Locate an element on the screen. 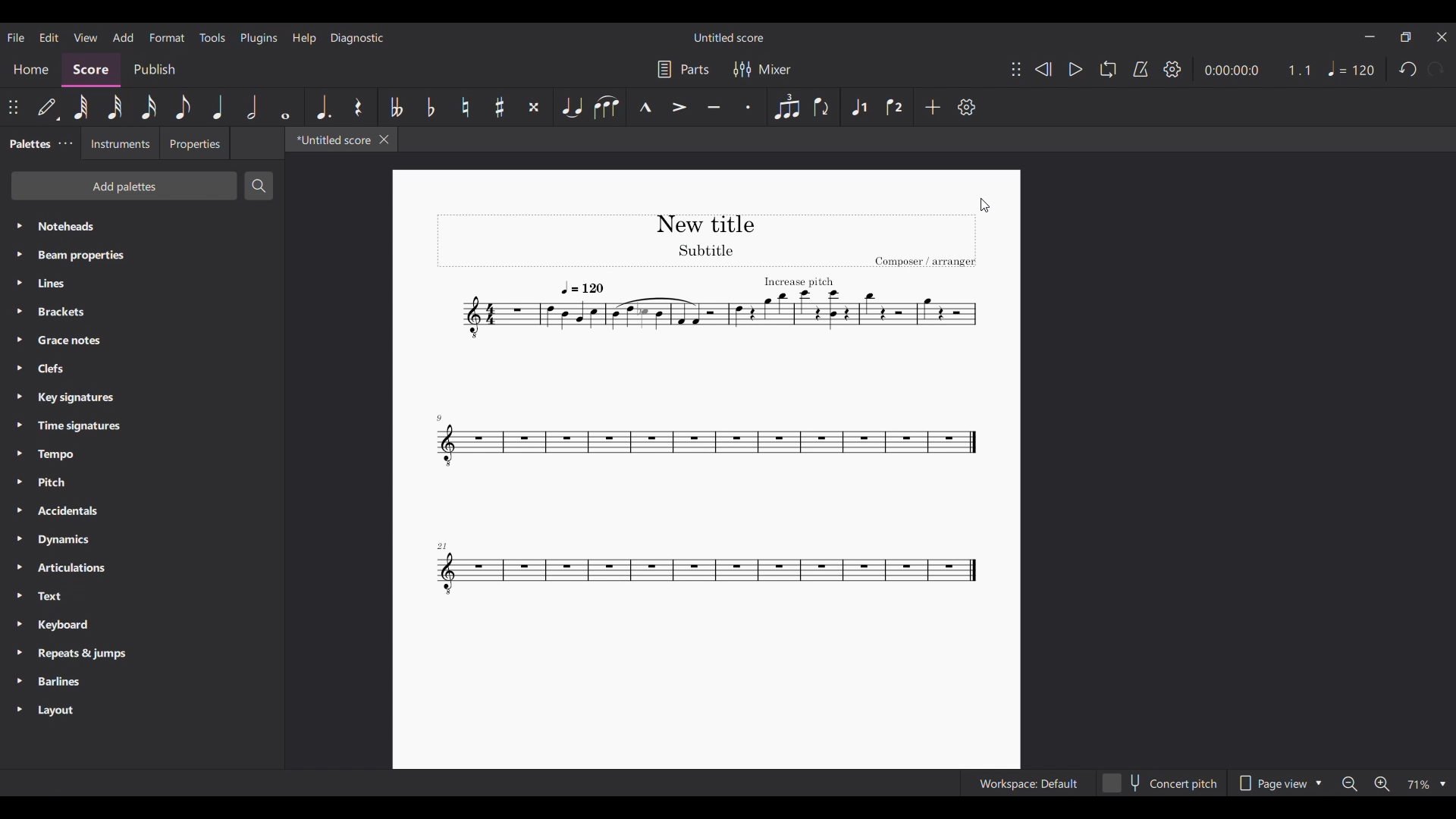  16th note is located at coordinates (149, 107).